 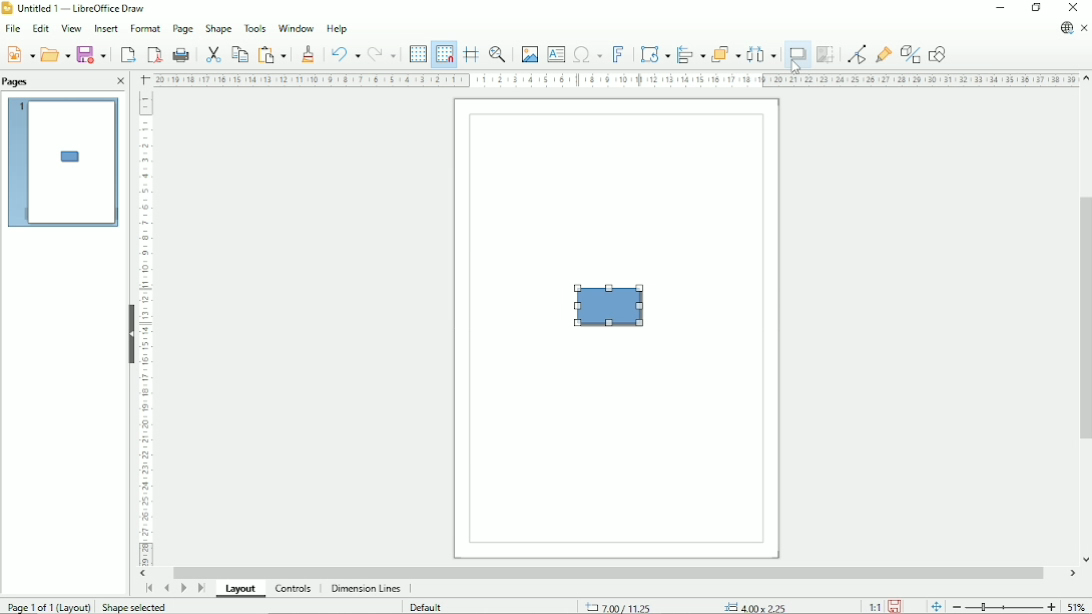 I want to click on Restore down, so click(x=1038, y=8).